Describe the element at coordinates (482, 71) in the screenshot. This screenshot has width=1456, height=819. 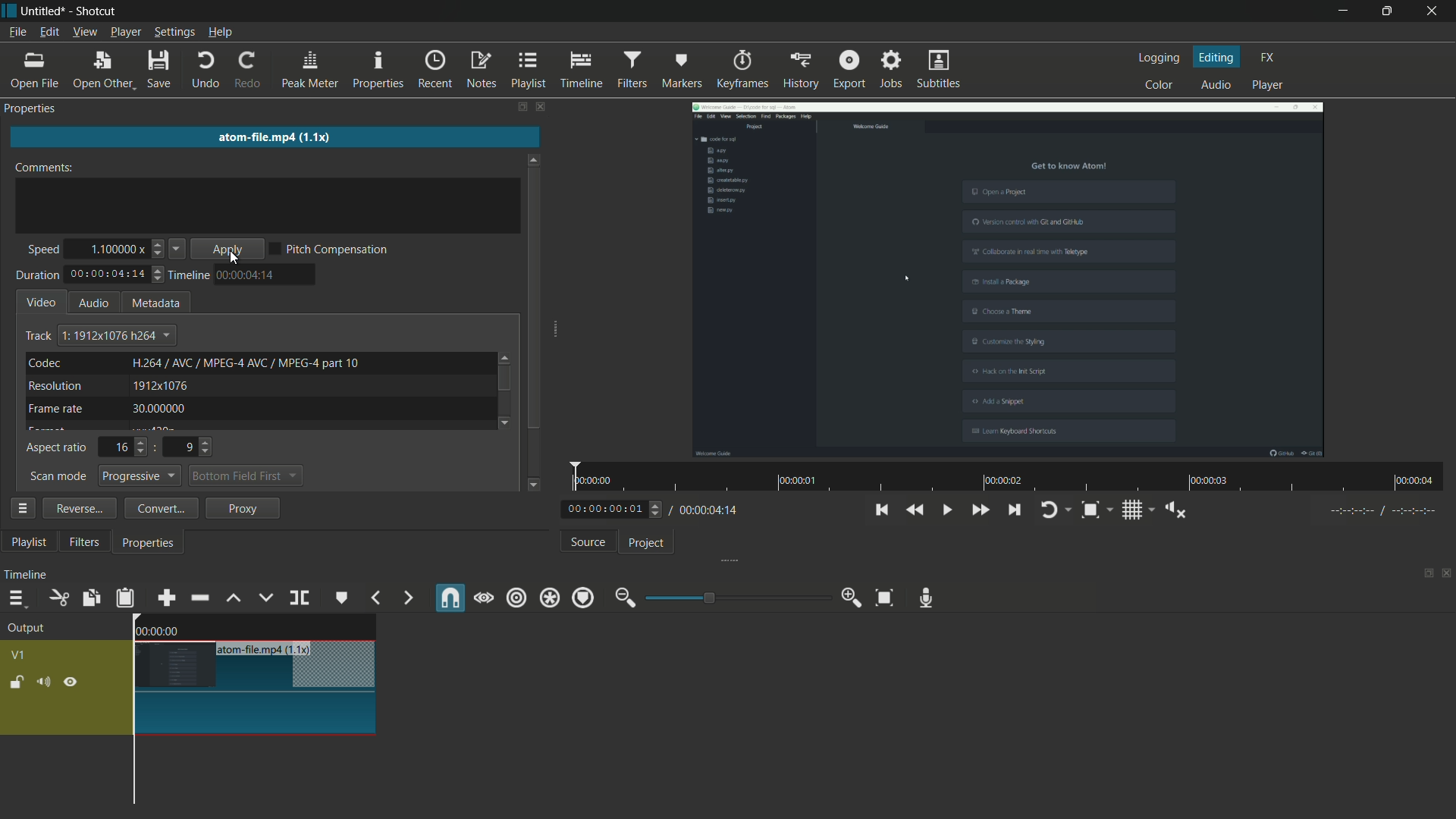
I see `notes` at that location.